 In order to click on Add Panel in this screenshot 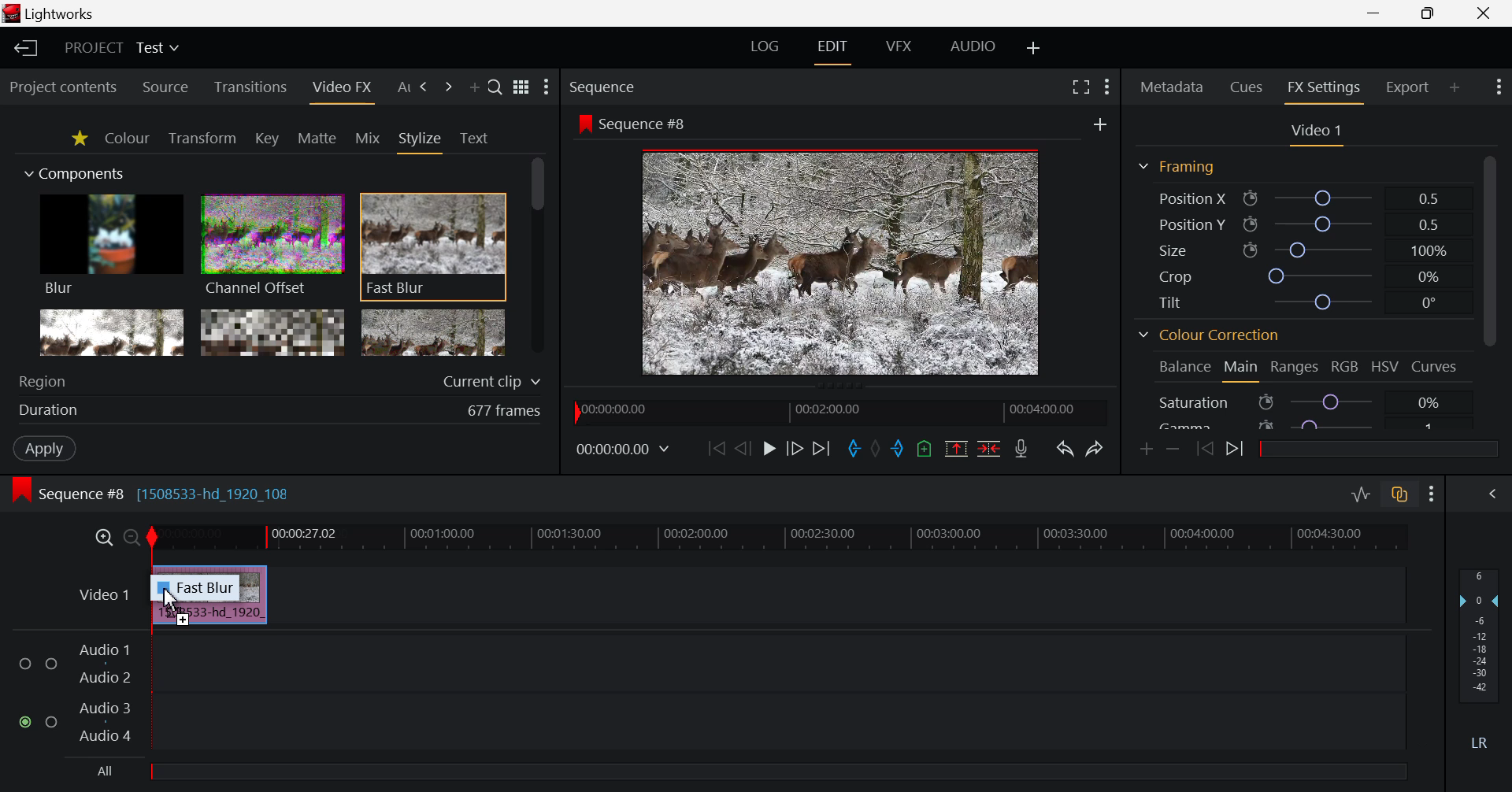, I will do `click(1455, 87)`.